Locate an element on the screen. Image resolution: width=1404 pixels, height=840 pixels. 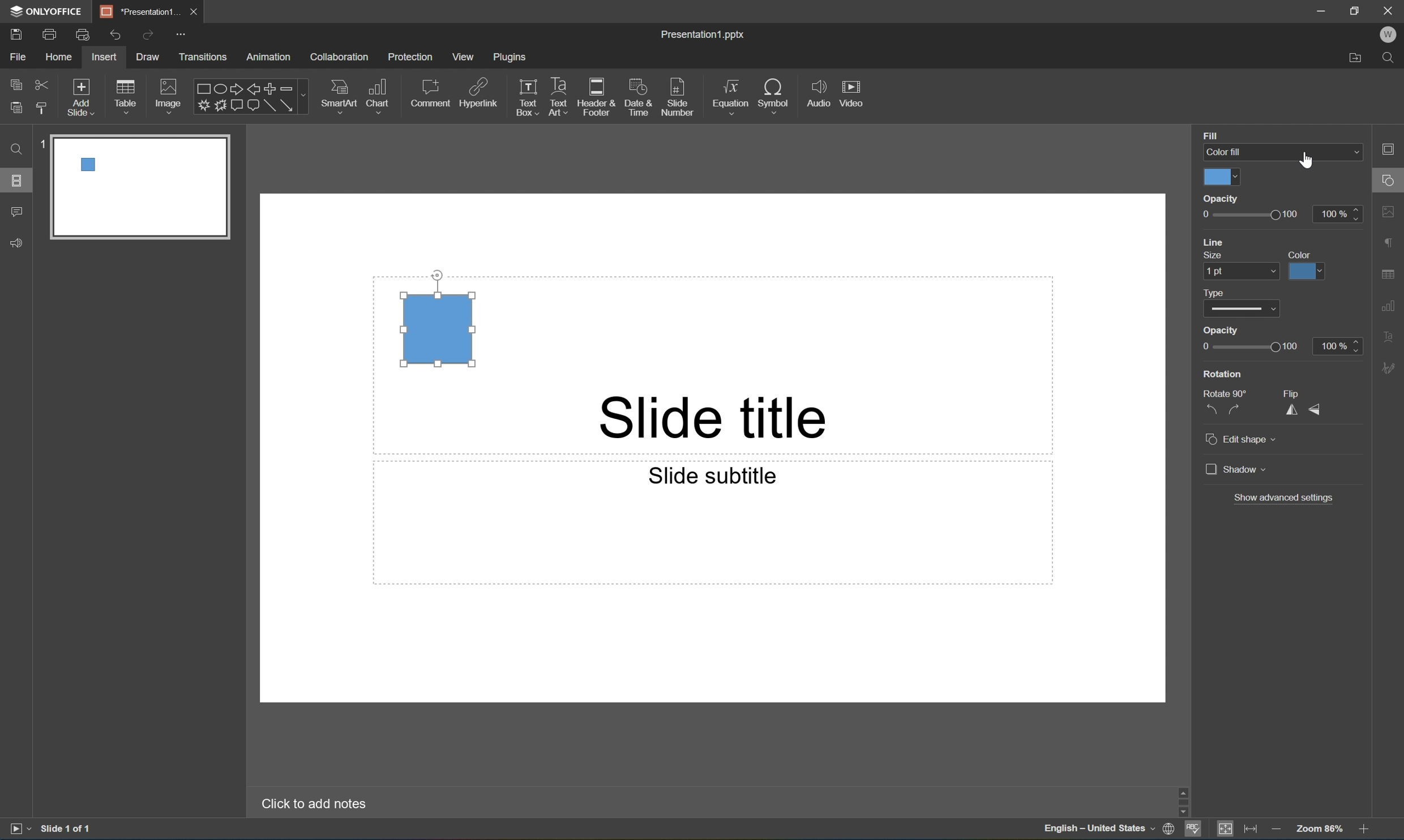
Image is located at coordinates (169, 95).